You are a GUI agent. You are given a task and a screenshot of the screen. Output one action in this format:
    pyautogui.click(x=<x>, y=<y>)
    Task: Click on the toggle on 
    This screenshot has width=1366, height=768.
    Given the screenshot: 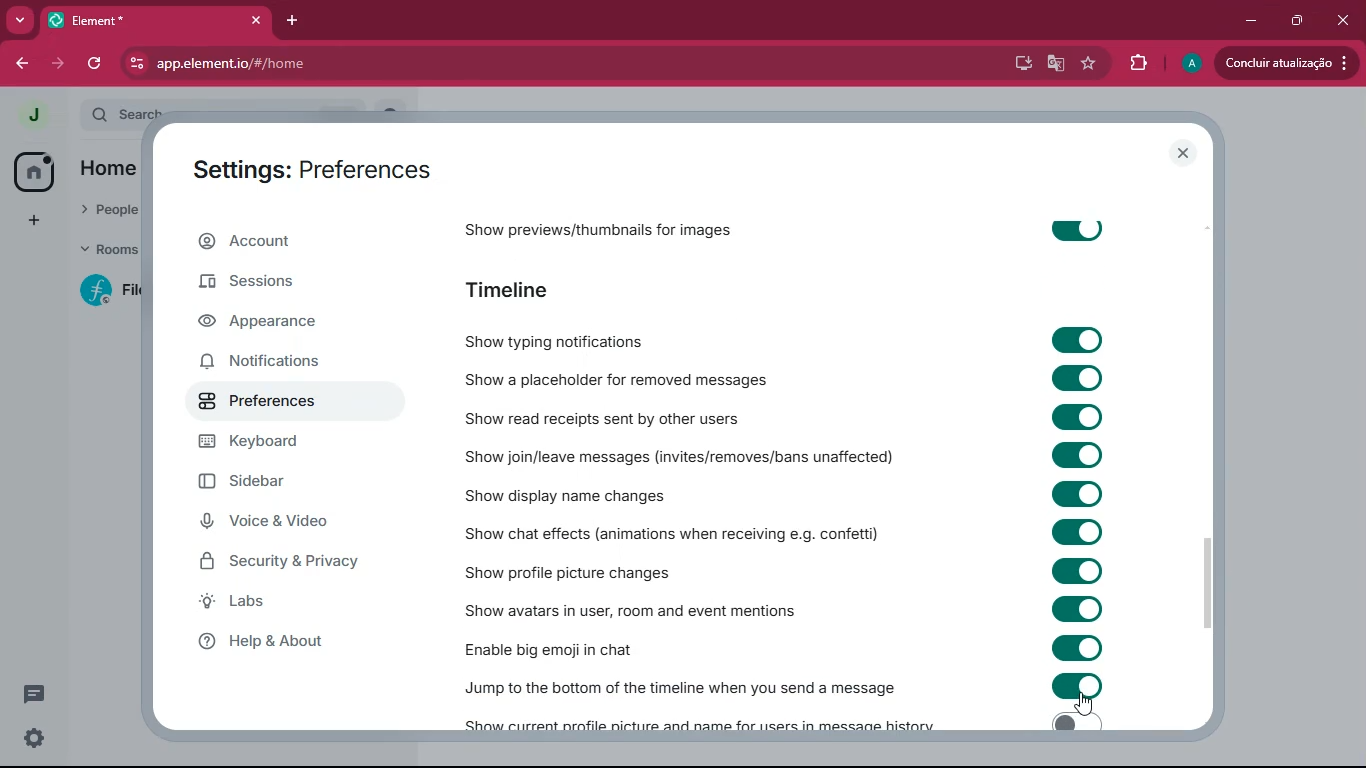 What is the action you would take?
    pyautogui.click(x=1073, y=685)
    